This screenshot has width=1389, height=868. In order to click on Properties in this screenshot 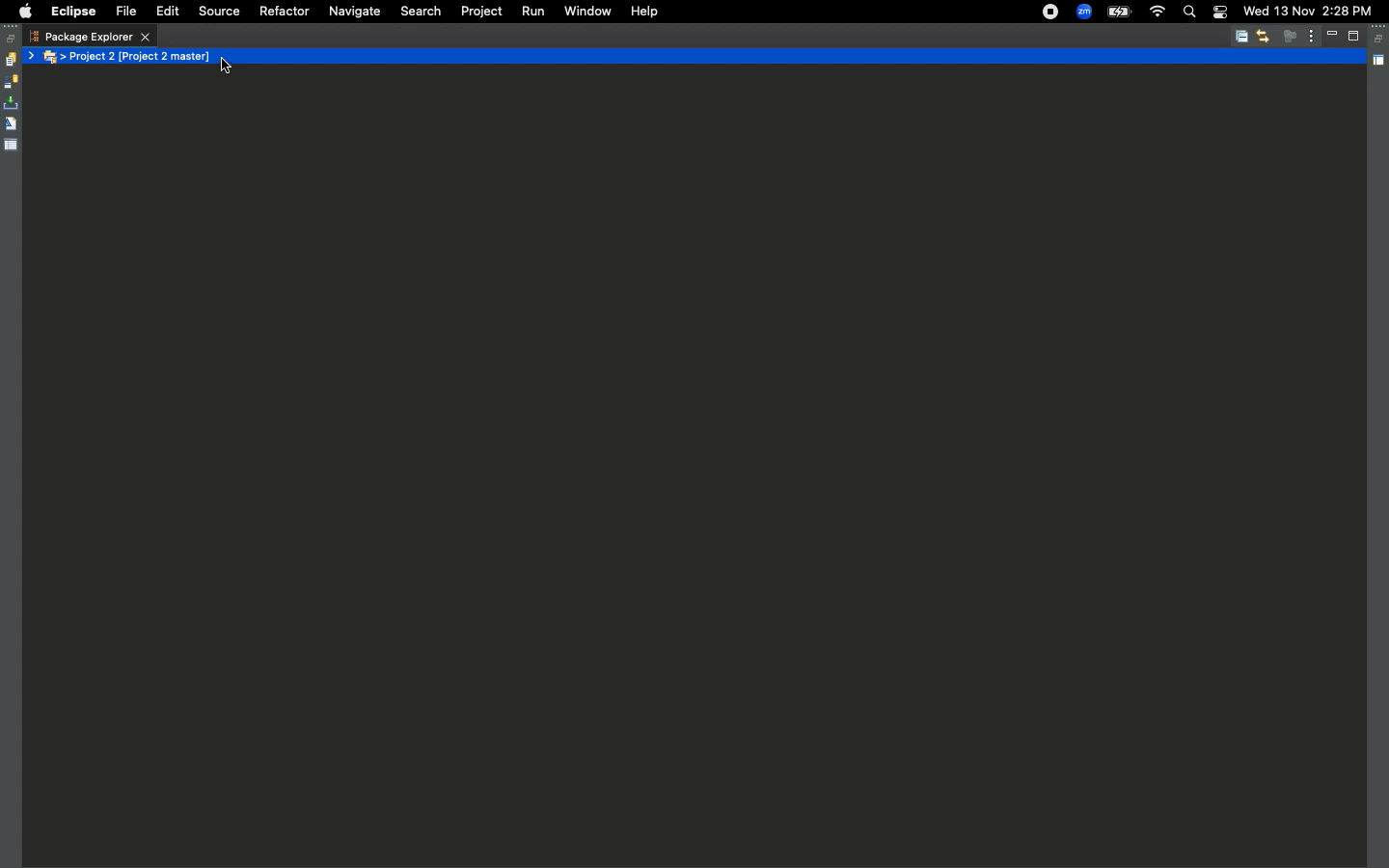, I will do `click(12, 144)`.